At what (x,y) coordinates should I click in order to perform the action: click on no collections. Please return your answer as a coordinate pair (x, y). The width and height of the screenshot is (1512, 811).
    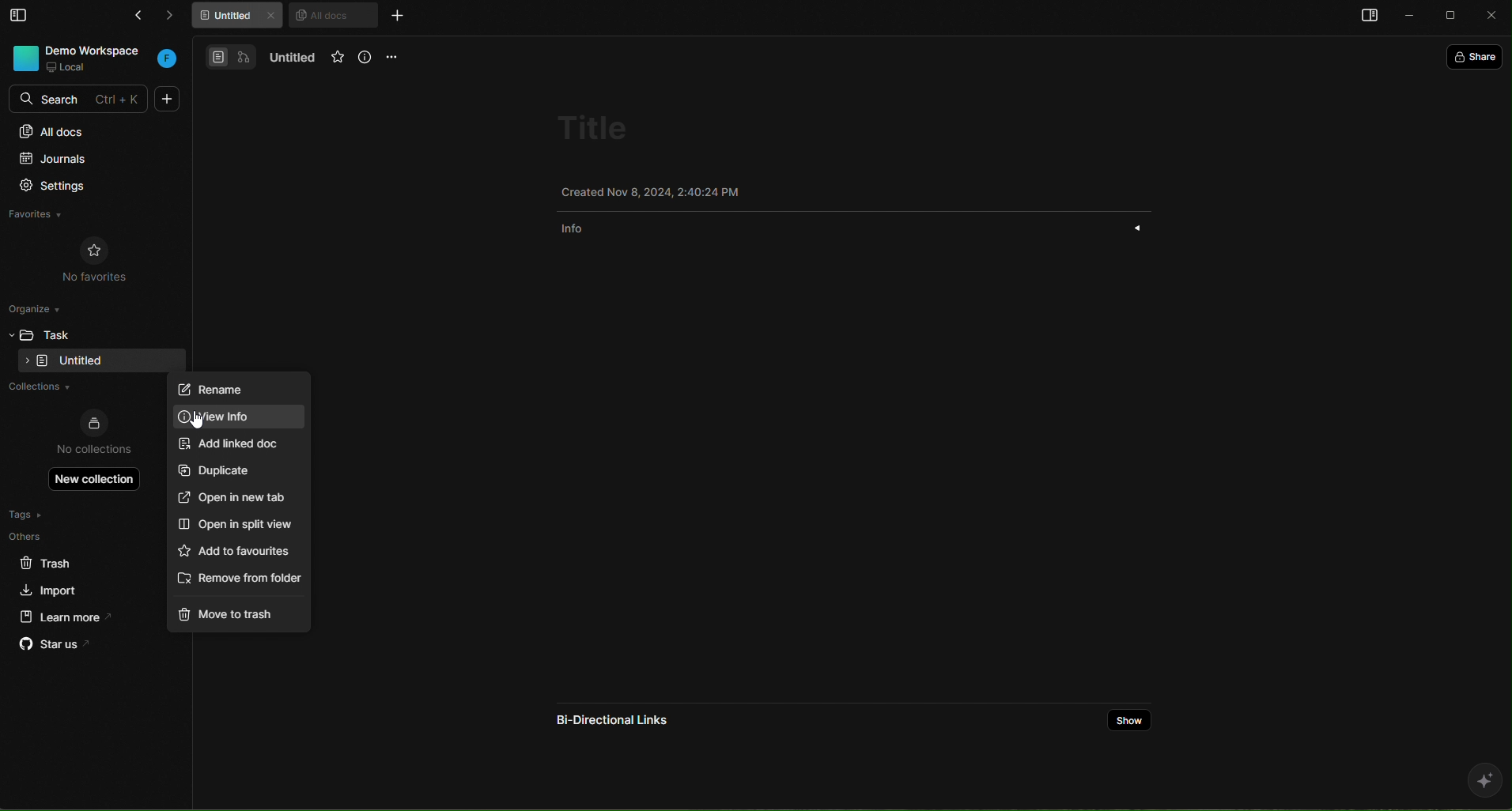
    Looking at the image, I should click on (94, 434).